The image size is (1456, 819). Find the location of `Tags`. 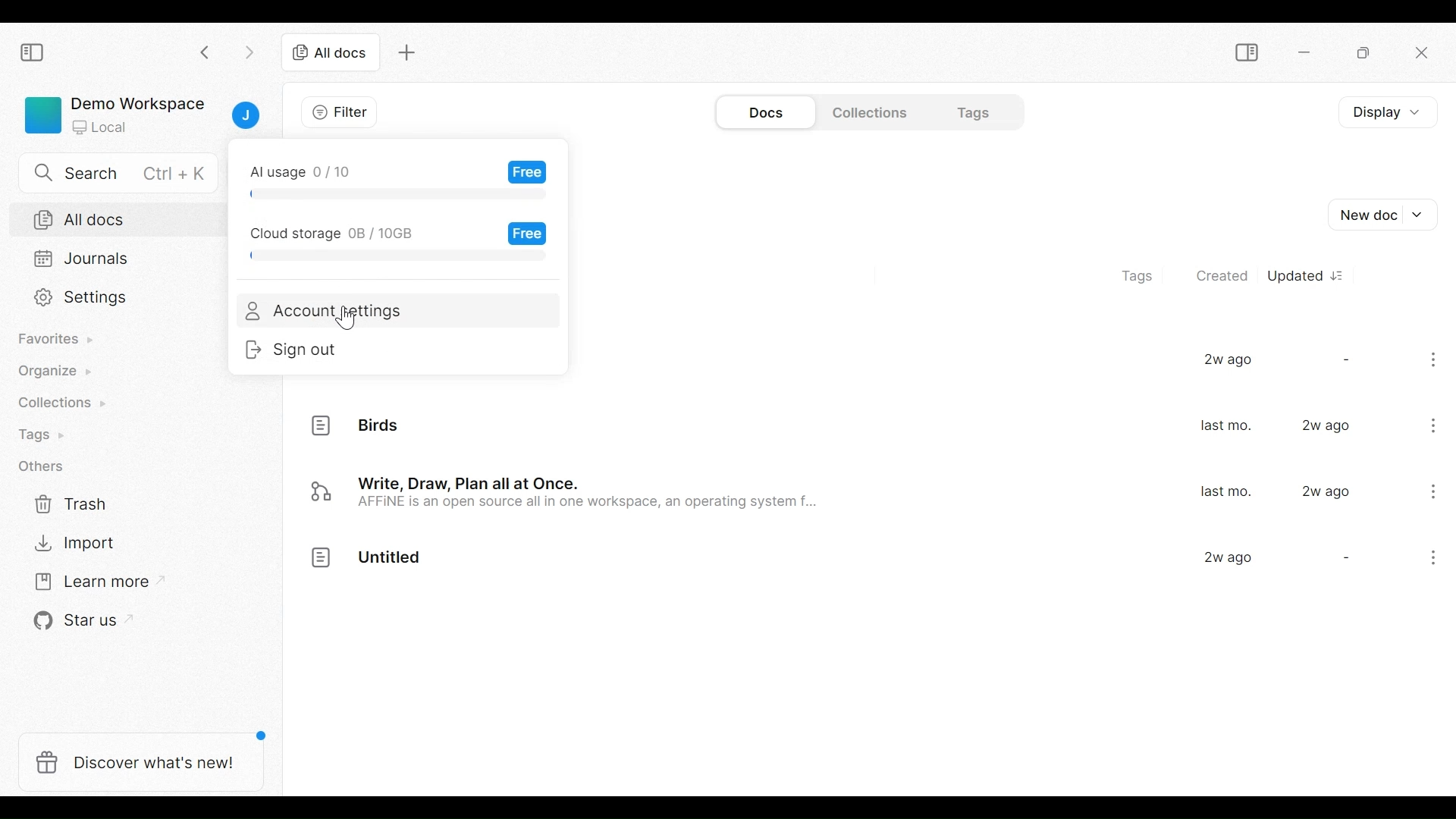

Tags is located at coordinates (49, 434).